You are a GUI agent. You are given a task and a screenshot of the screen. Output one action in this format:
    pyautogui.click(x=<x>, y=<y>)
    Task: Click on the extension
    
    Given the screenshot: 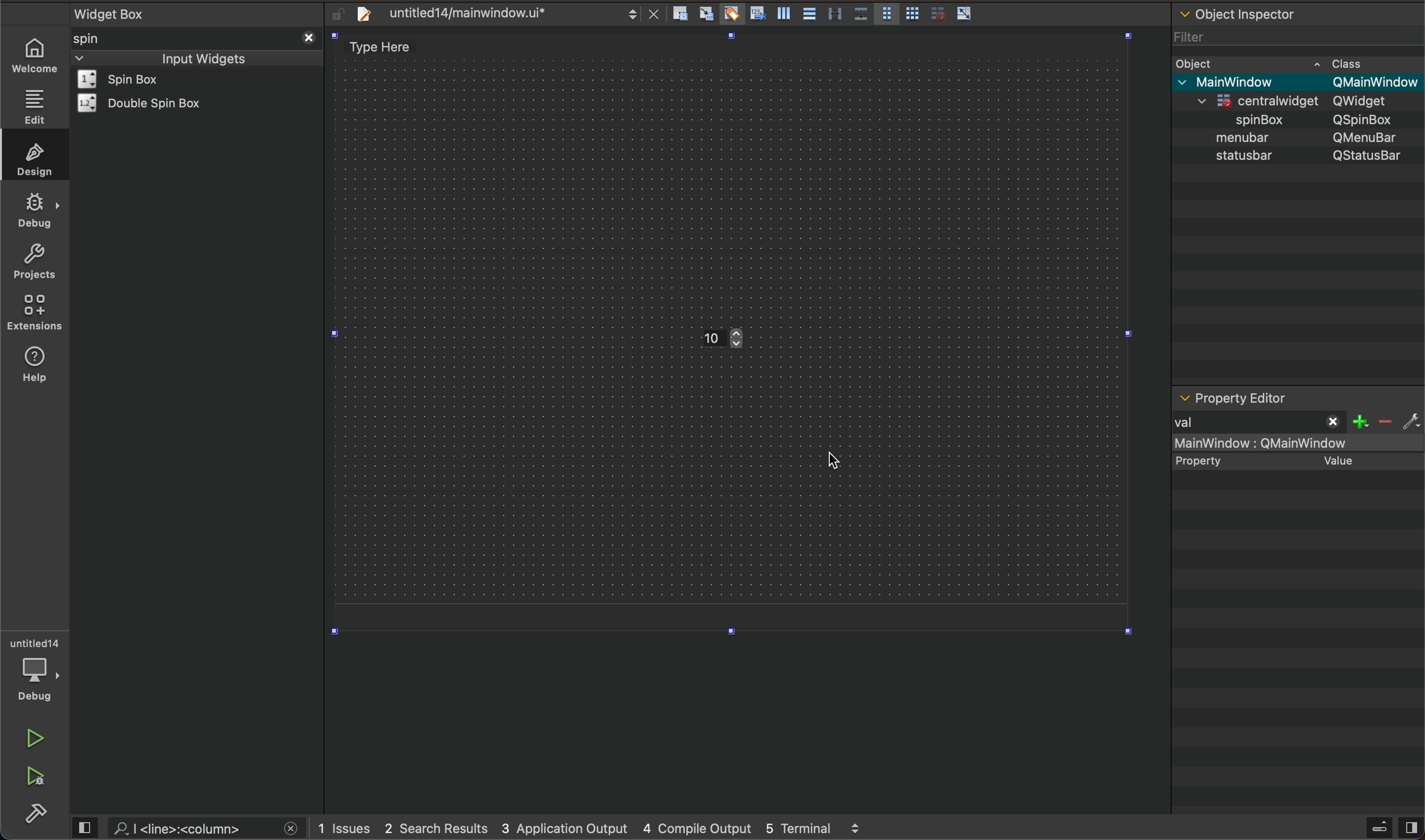 What is the action you would take?
    pyautogui.click(x=35, y=313)
    